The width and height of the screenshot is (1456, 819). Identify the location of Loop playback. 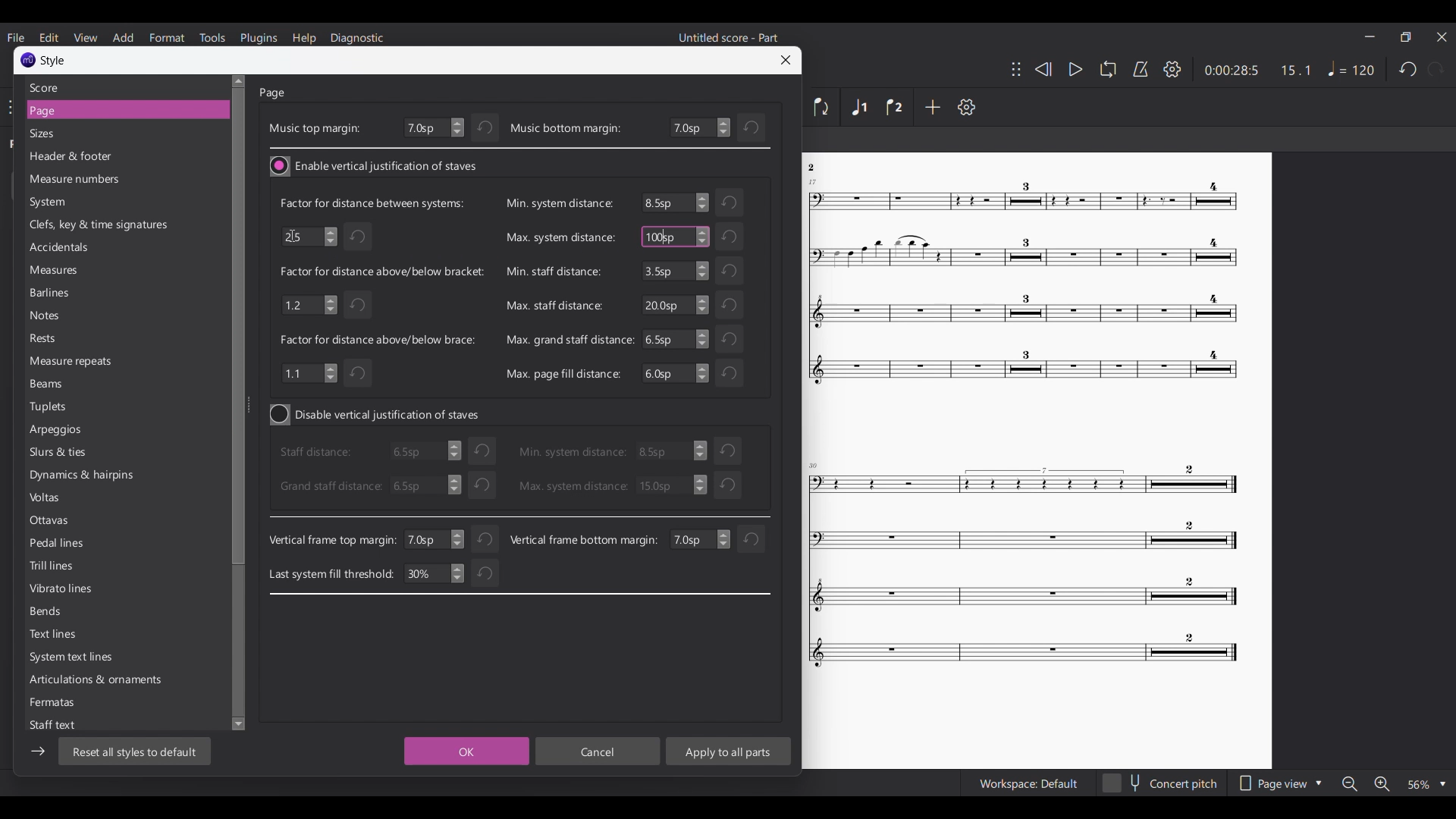
(1108, 69).